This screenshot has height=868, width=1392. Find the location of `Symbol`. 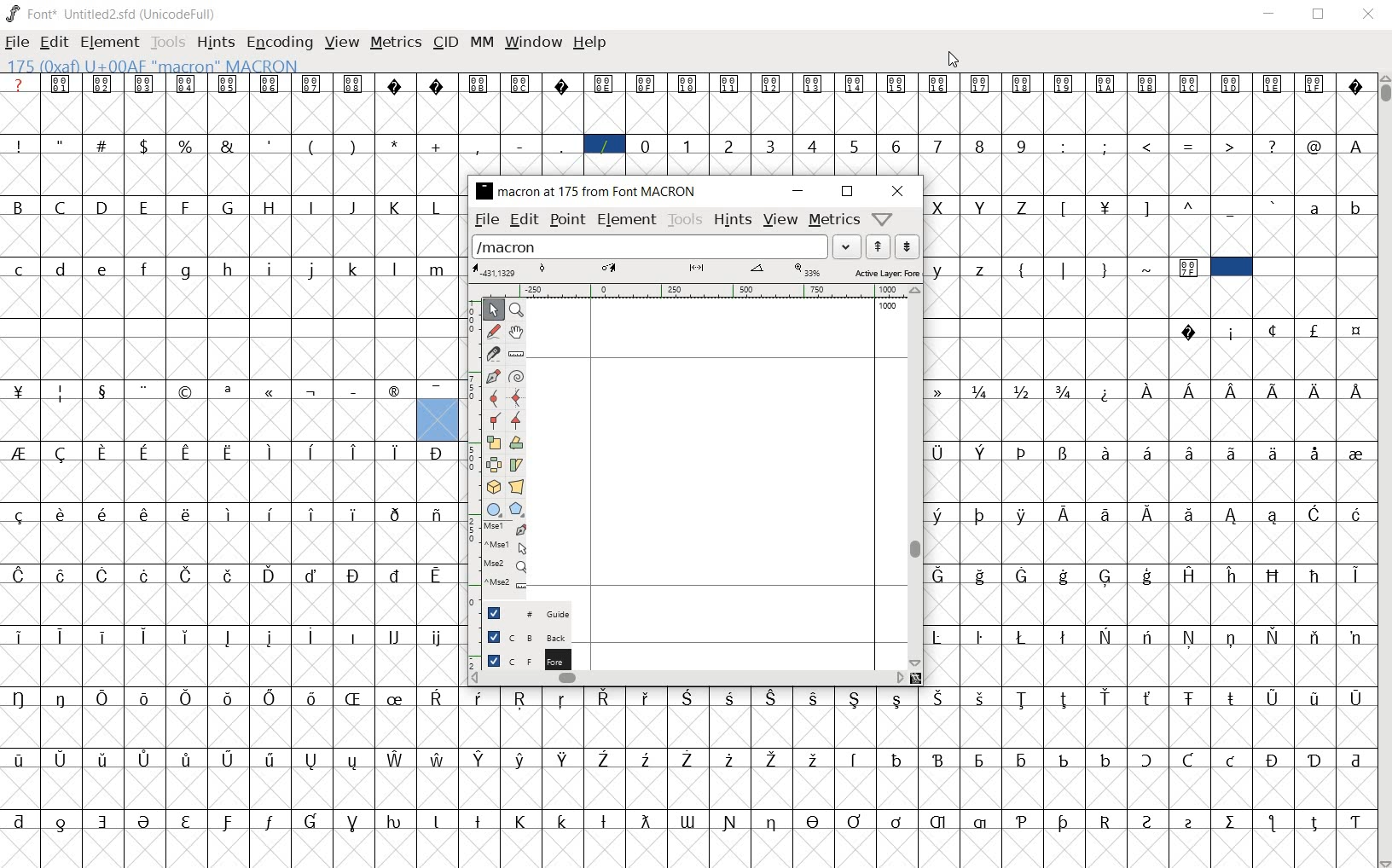

Symbol is located at coordinates (1064, 757).